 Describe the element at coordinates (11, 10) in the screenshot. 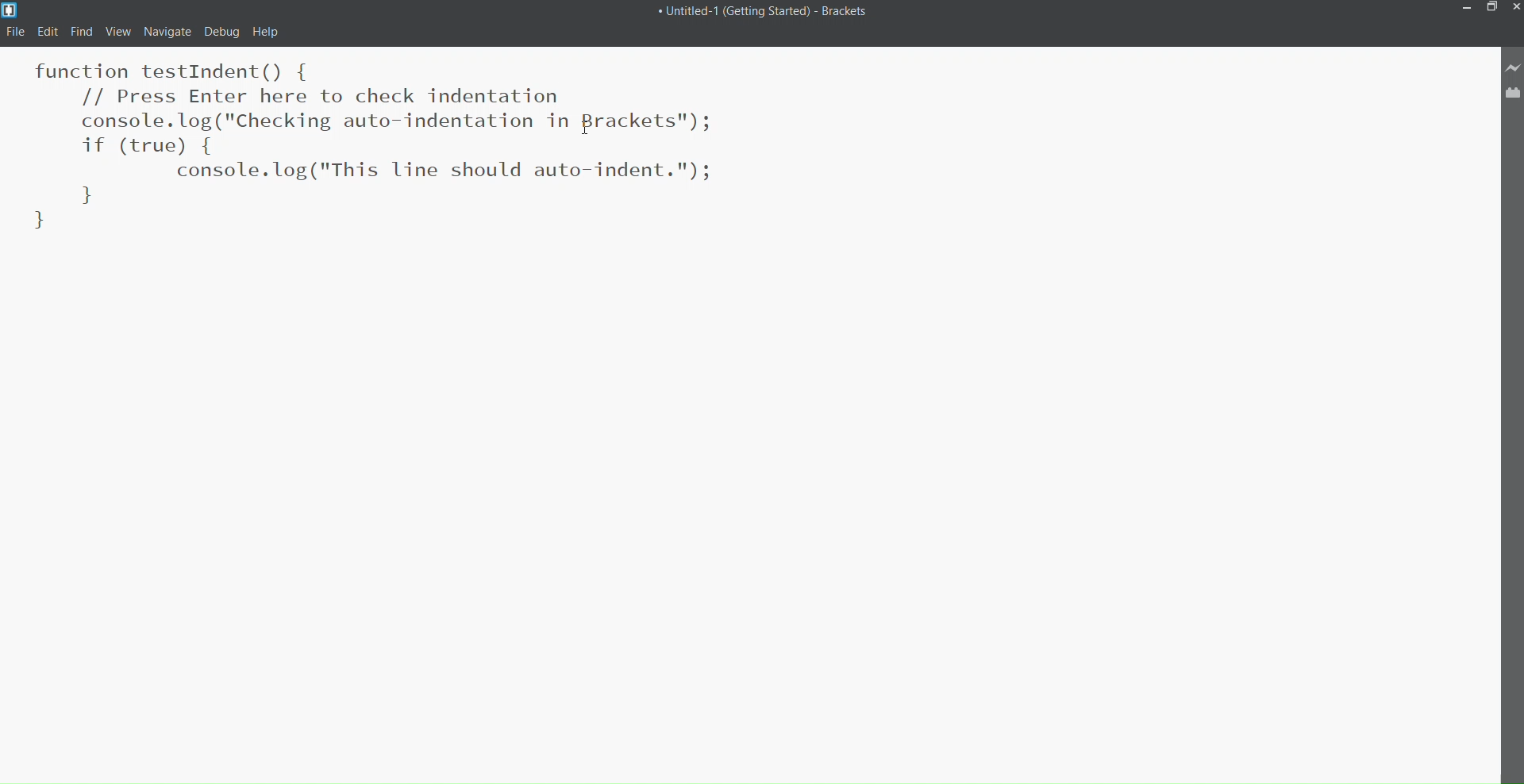

I see `Logo` at that location.